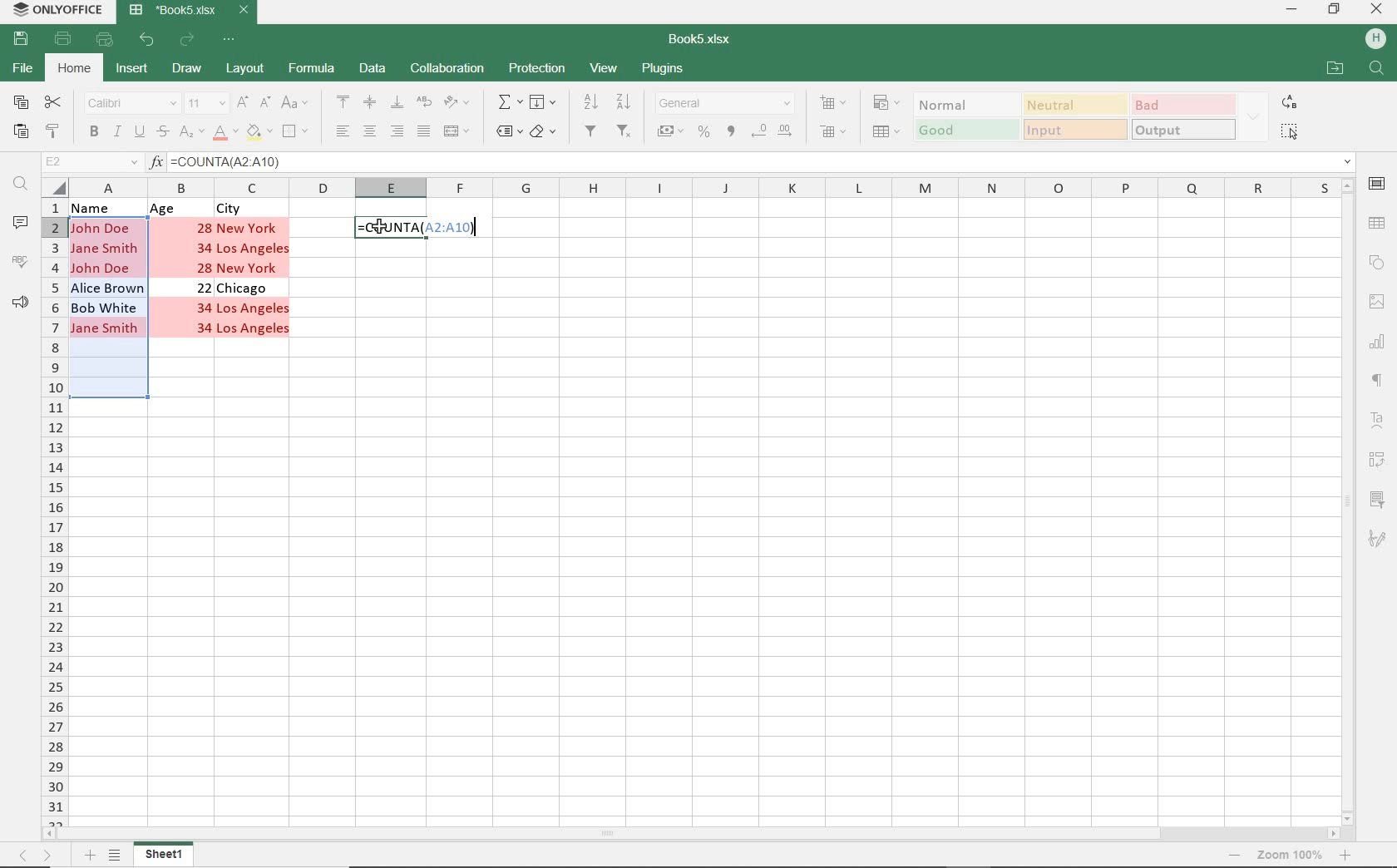 This screenshot has width=1397, height=868. What do you see at coordinates (752, 161) in the screenshot?
I see `INSERT FUNCTION` at bounding box center [752, 161].